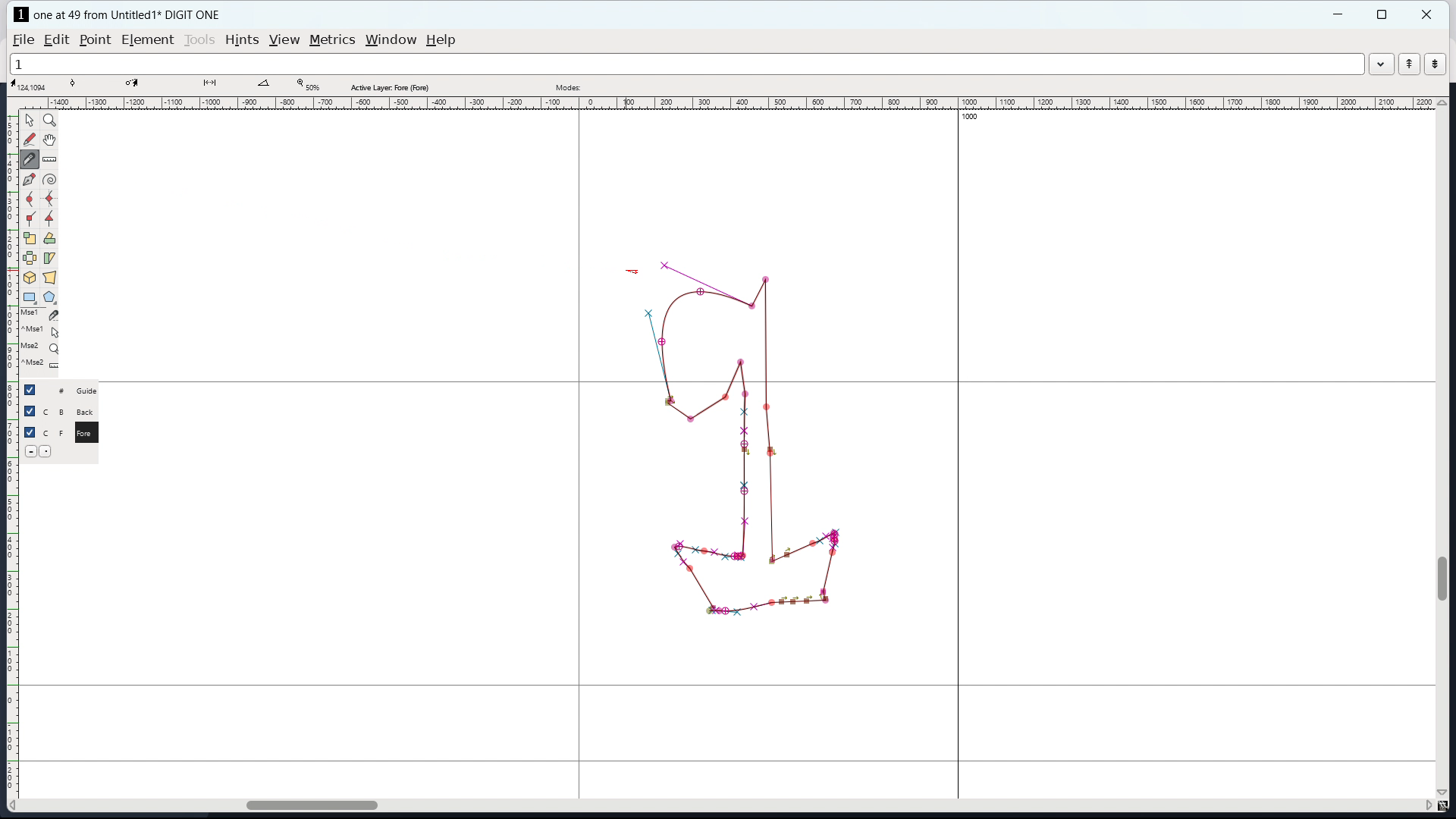  Describe the element at coordinates (91, 391) in the screenshot. I see `guide` at that location.